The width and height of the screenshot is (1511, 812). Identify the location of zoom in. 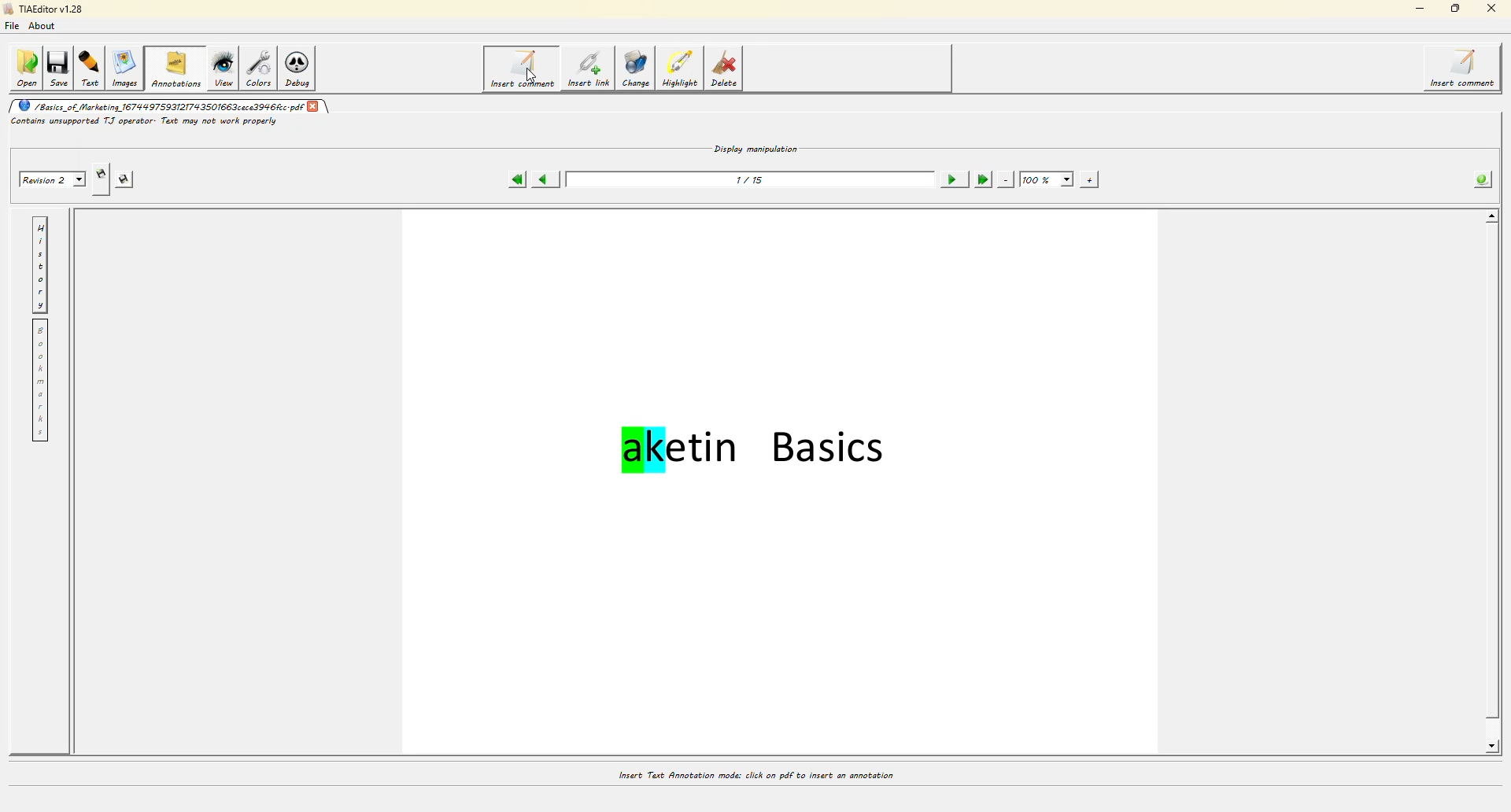
(1089, 179).